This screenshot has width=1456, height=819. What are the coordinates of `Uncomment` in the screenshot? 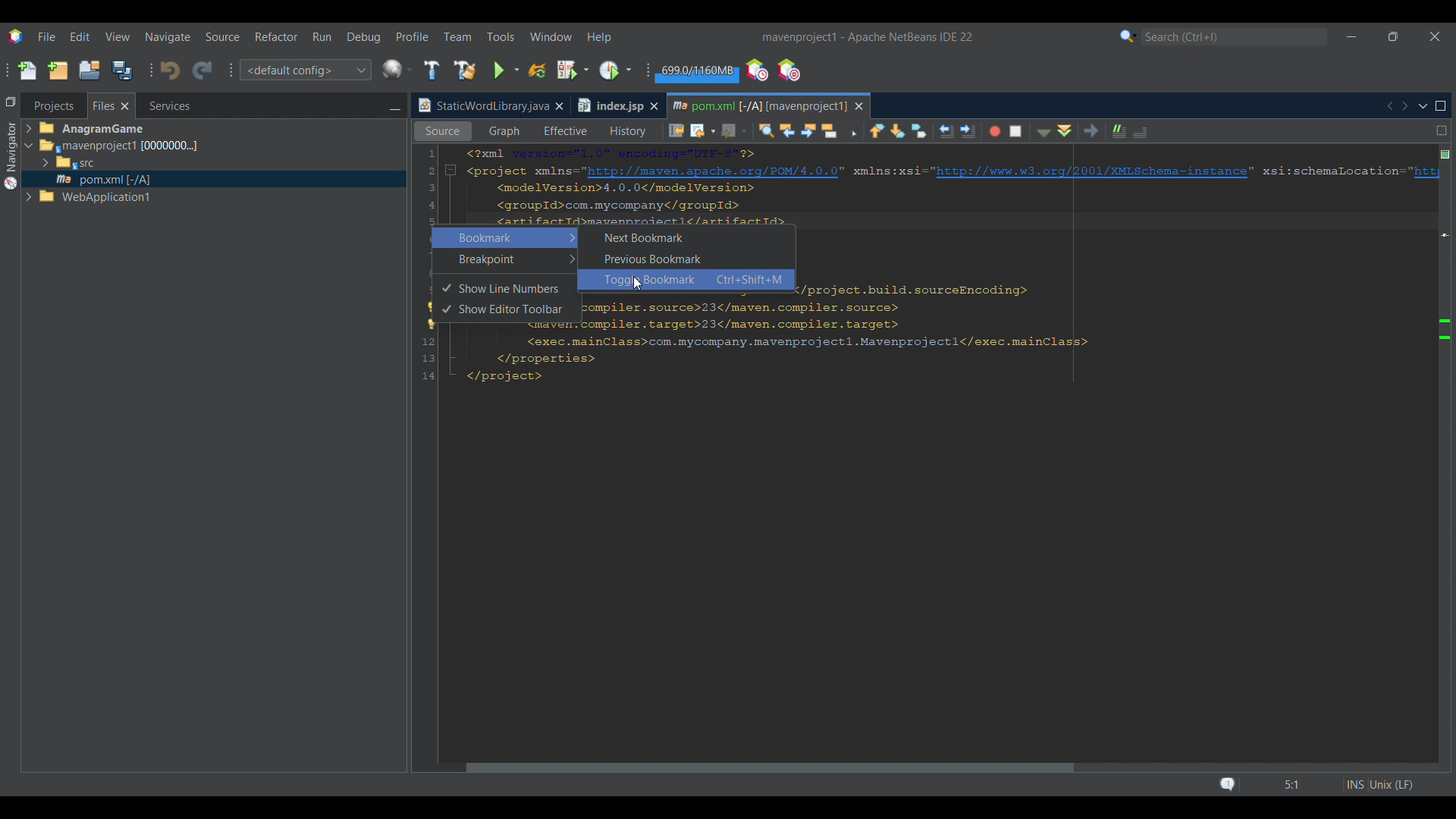 It's located at (1146, 130).